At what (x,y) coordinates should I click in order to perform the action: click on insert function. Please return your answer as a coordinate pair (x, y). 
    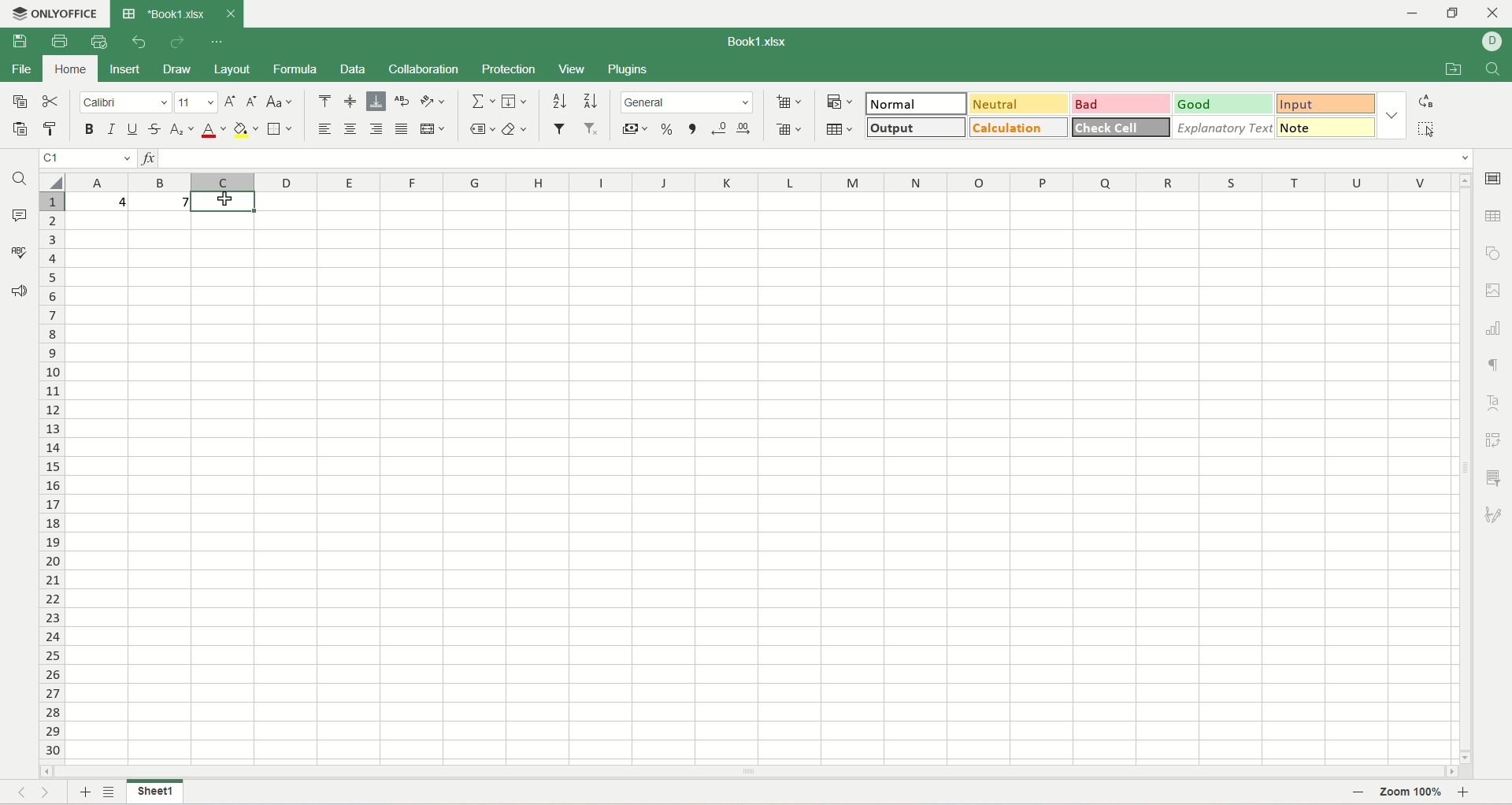
    Looking at the image, I should click on (146, 158).